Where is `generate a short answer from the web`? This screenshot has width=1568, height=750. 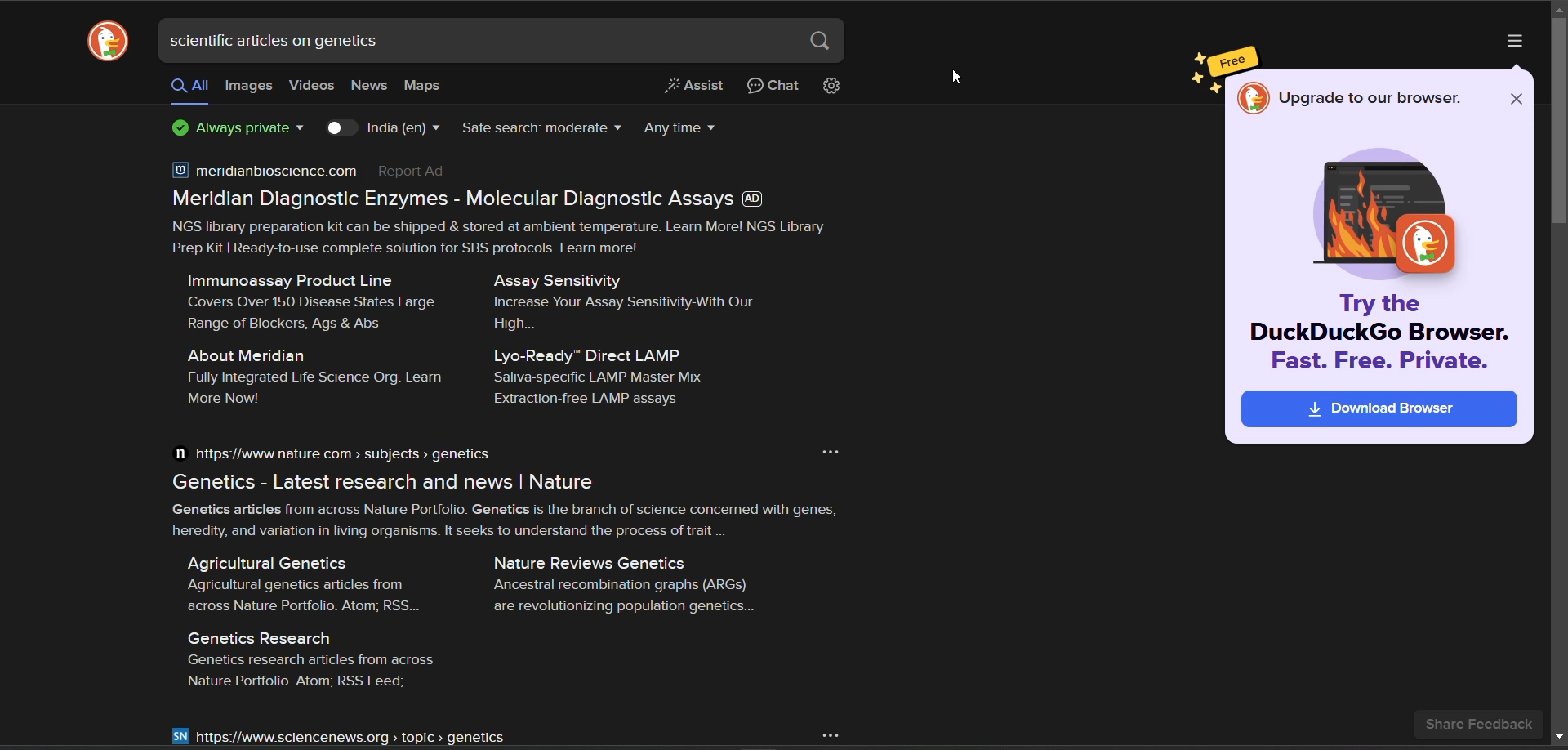 generate a short answer from the web is located at coordinates (697, 86).